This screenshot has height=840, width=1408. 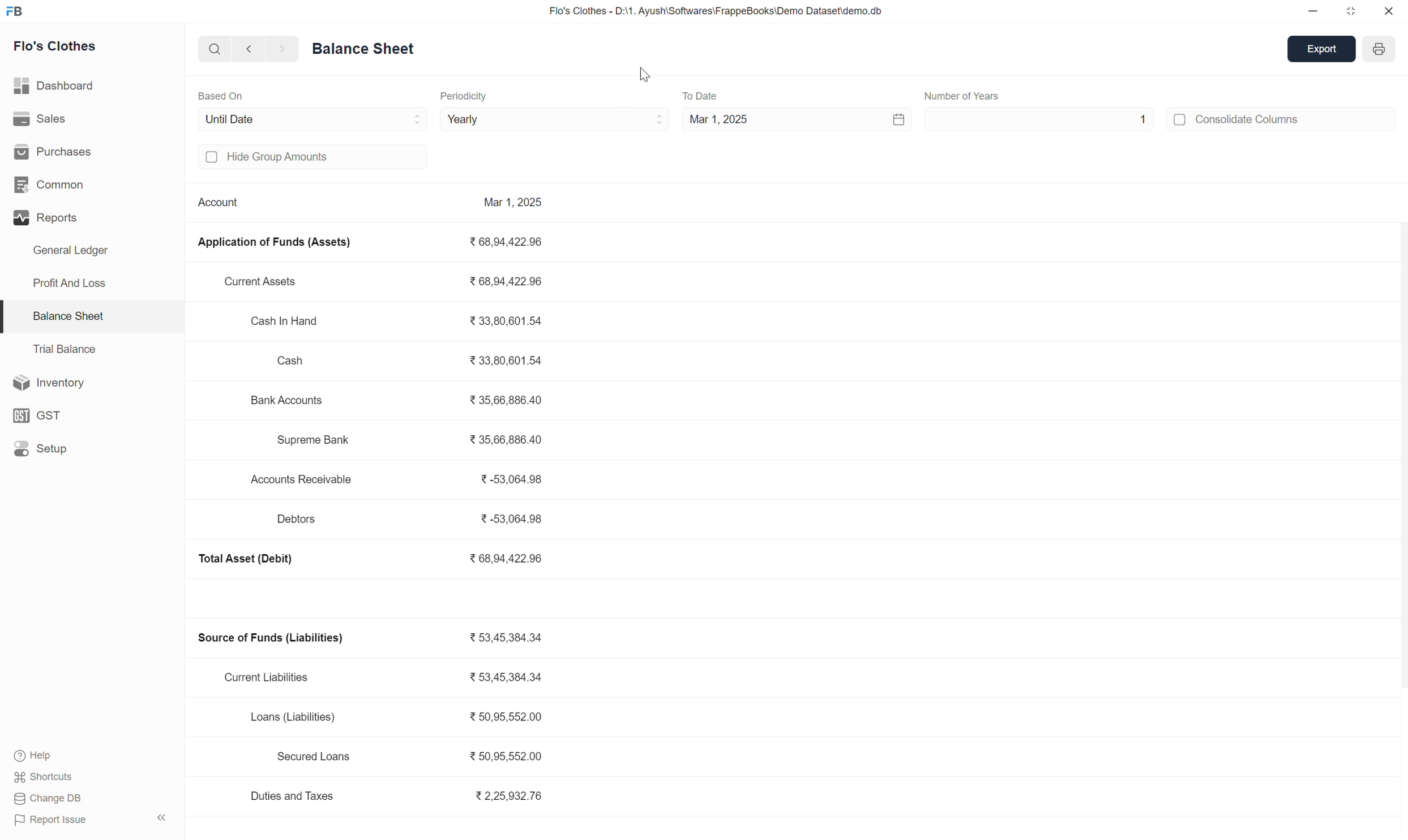 I want to click on Monthly, so click(x=550, y=118).